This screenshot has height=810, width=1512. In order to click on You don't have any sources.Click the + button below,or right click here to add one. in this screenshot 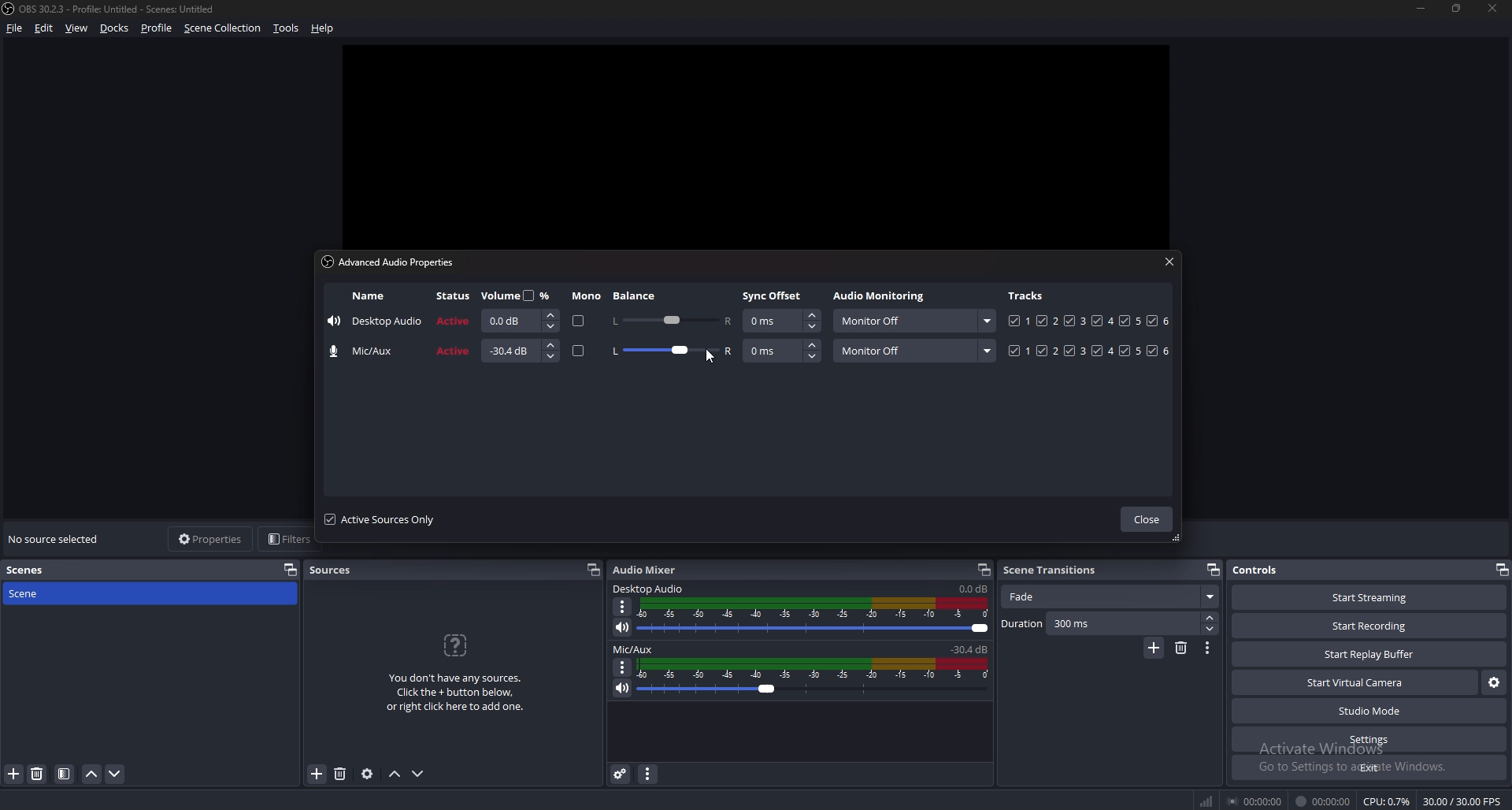, I will do `click(454, 693)`.